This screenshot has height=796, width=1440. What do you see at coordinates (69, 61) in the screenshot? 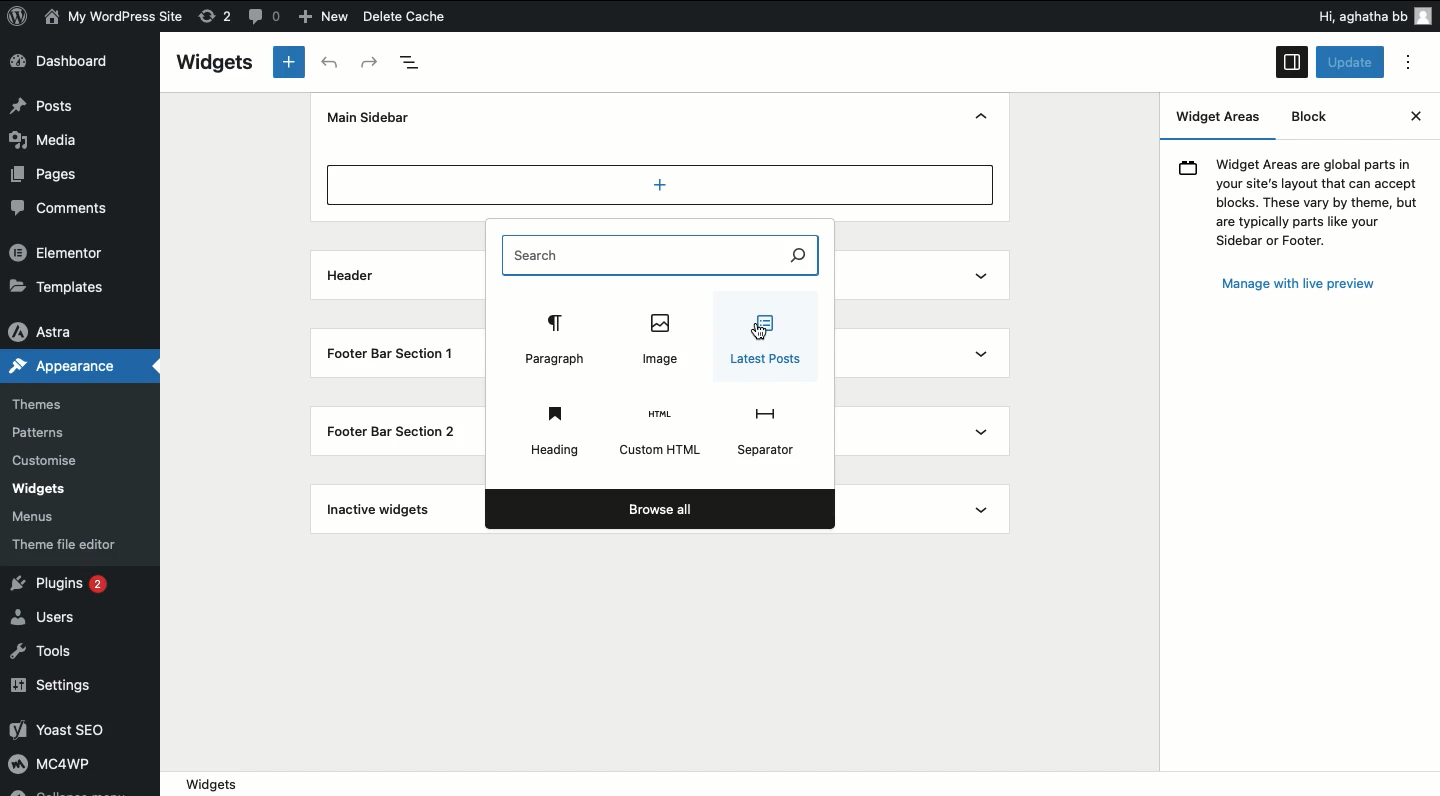
I see `Dashboard` at bounding box center [69, 61].